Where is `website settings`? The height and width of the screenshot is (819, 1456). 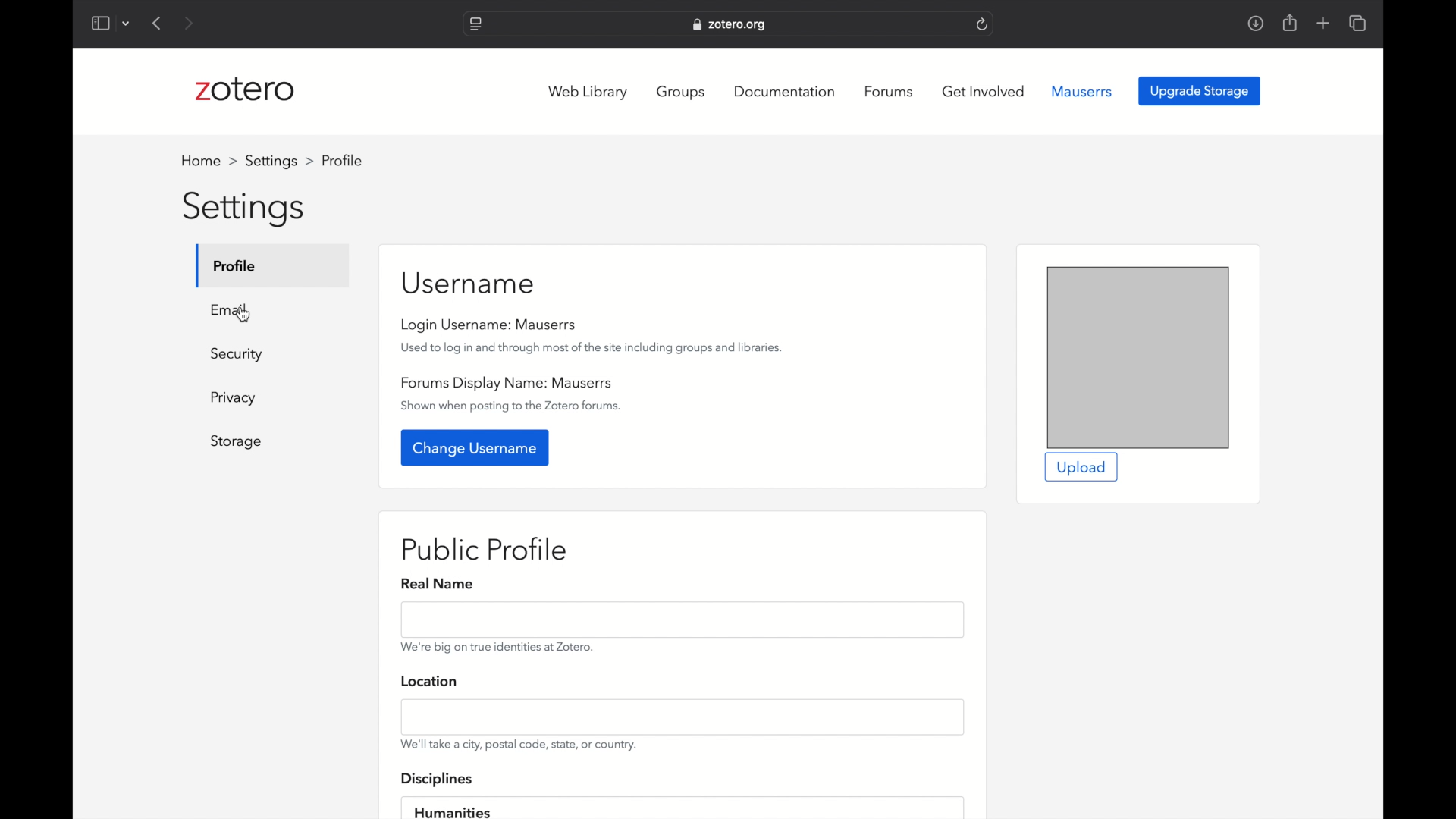
website settings is located at coordinates (475, 25).